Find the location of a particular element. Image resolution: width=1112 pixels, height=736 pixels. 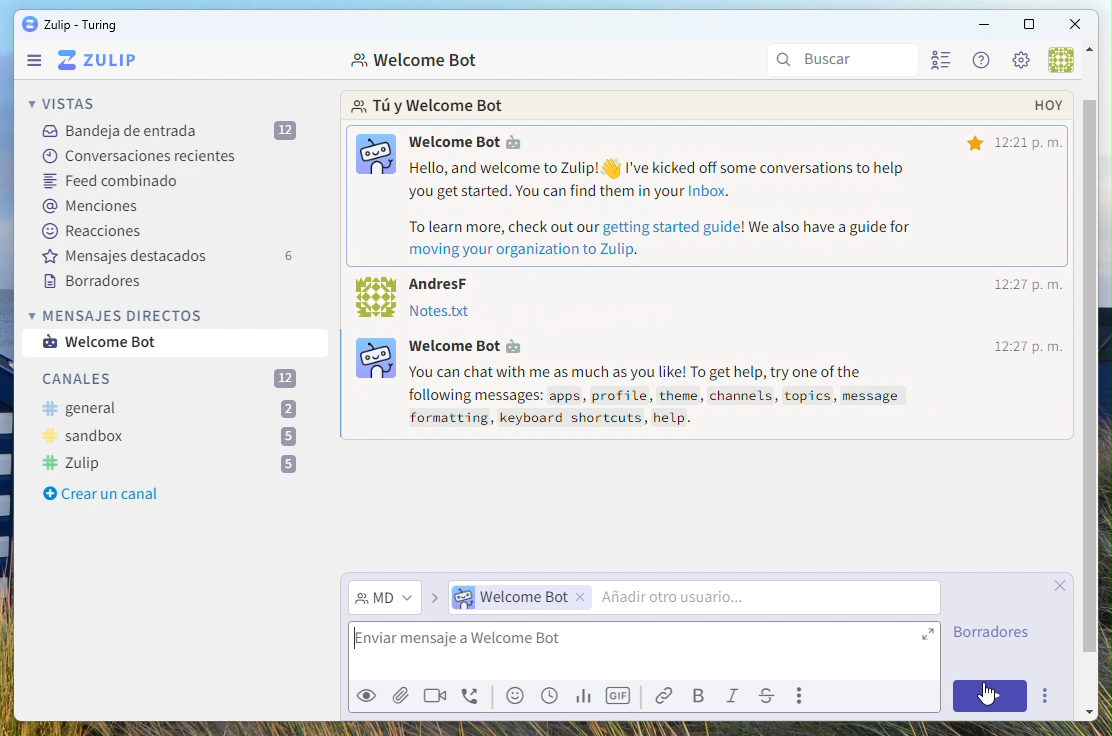

close is located at coordinates (1065, 585).